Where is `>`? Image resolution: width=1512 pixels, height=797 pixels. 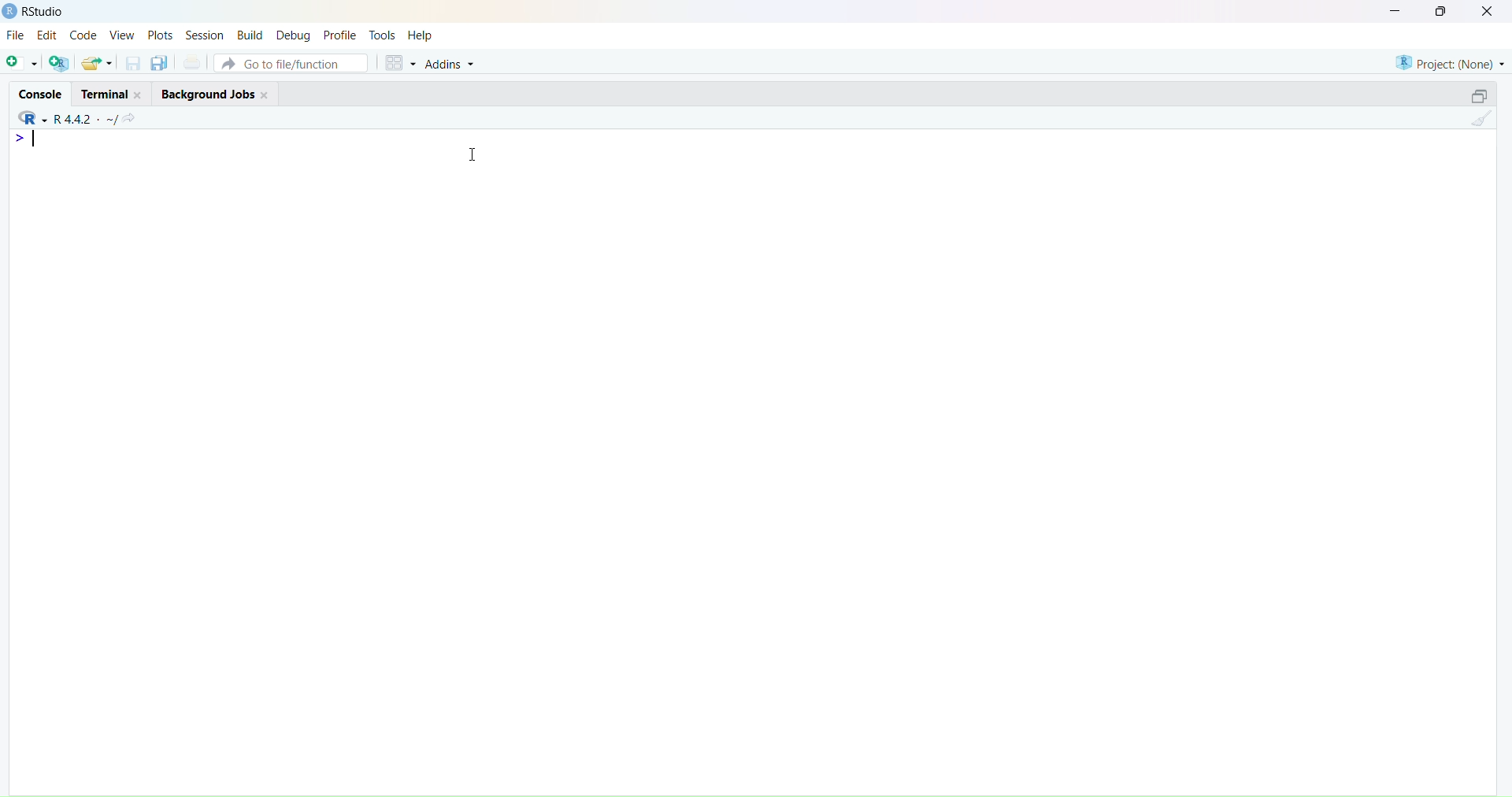 > is located at coordinates (22, 139).